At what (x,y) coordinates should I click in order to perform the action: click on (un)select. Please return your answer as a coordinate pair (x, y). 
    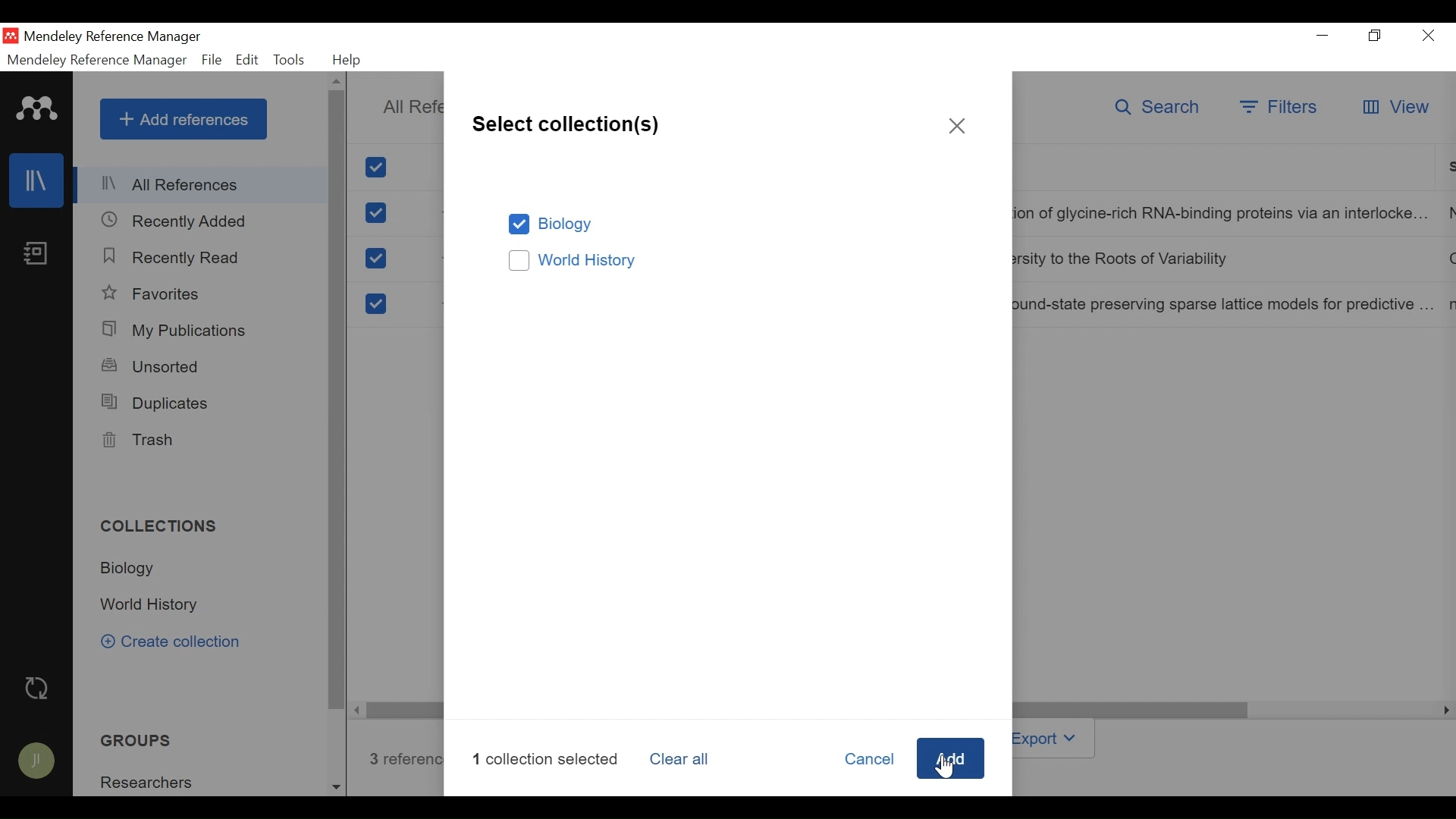
    Looking at the image, I should click on (376, 213).